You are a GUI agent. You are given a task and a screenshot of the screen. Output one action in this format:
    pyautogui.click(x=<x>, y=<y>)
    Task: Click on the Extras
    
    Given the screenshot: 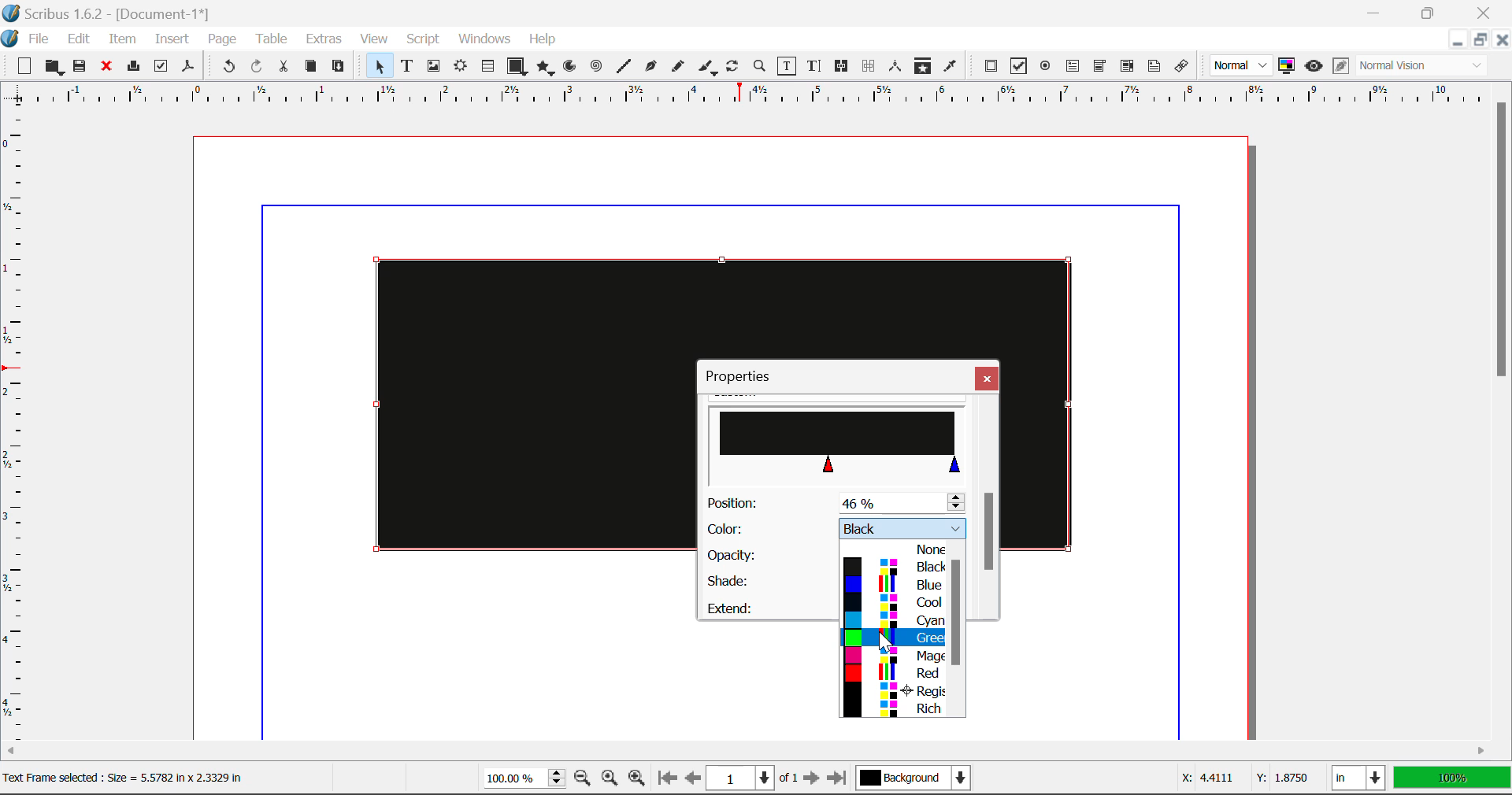 What is the action you would take?
    pyautogui.click(x=326, y=39)
    